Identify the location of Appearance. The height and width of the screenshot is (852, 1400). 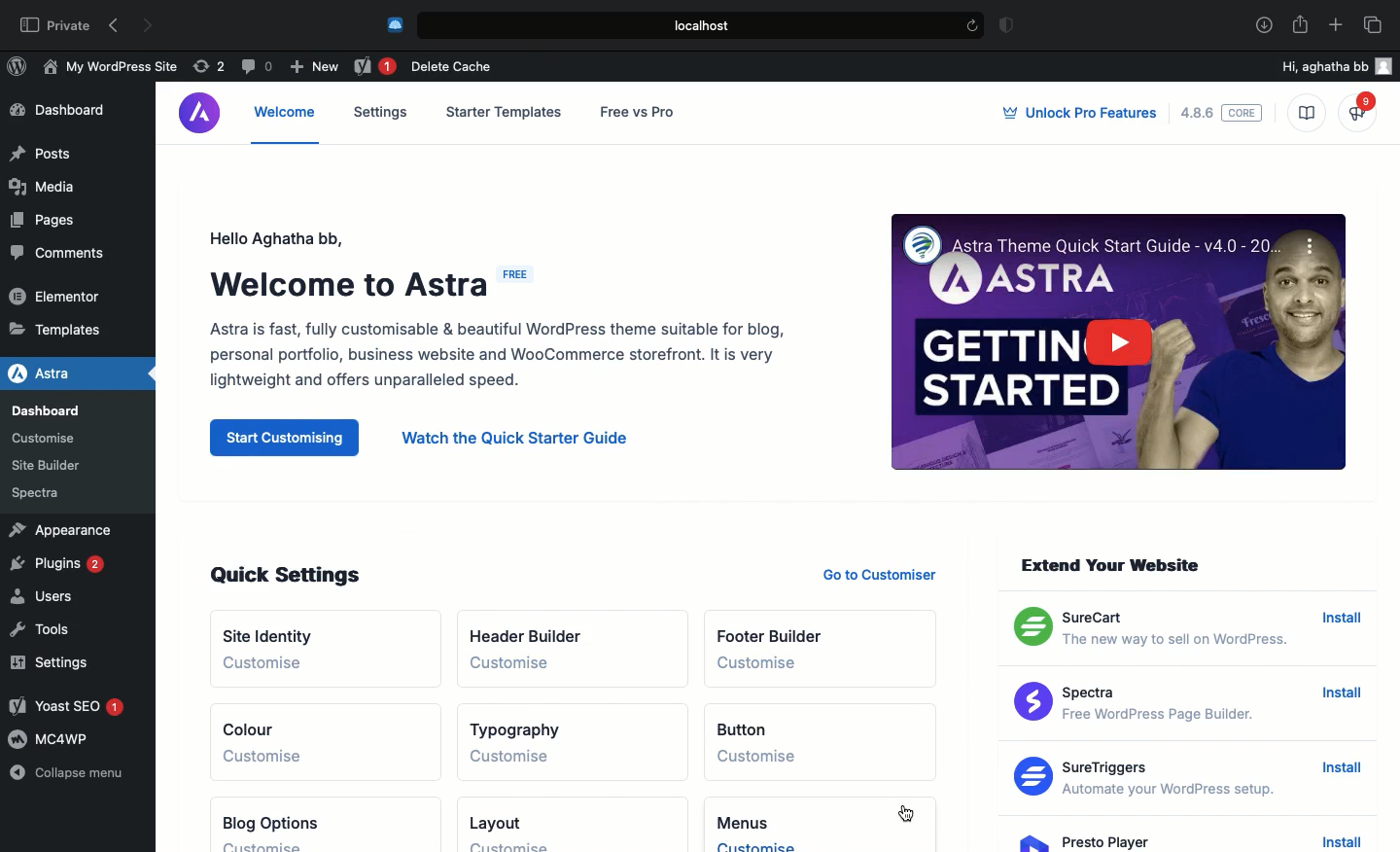
(67, 530).